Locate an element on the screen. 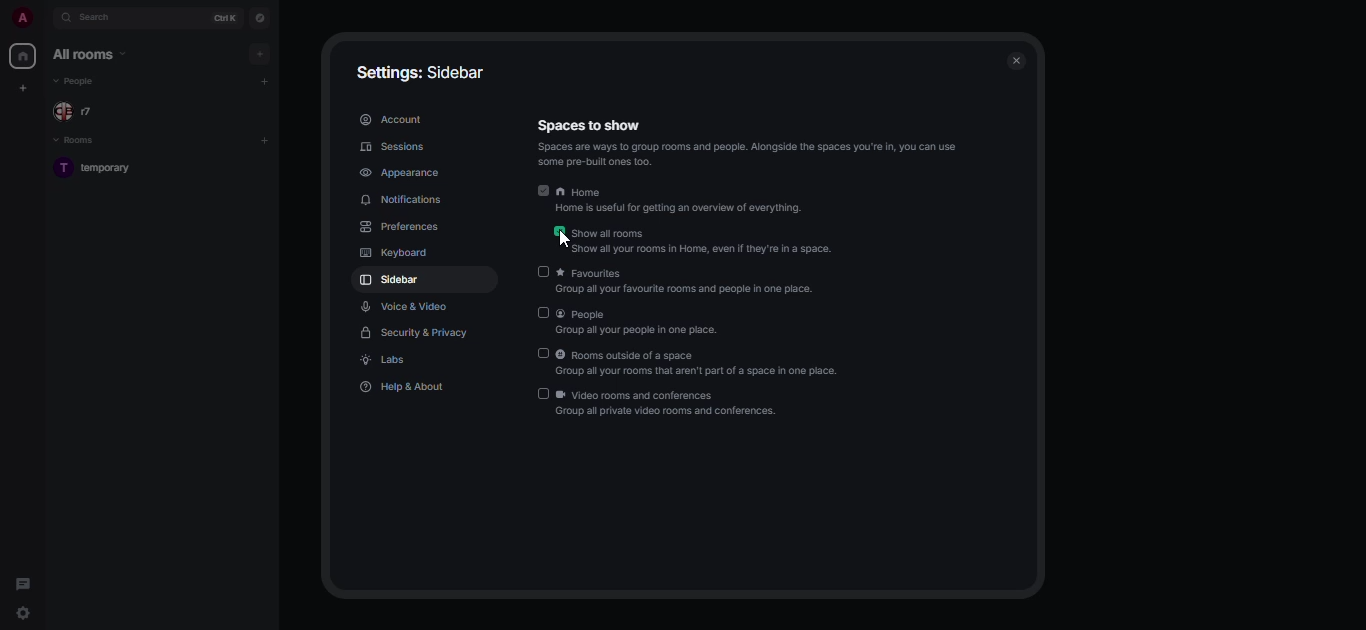 Image resolution: width=1366 pixels, height=630 pixels. security & privacy is located at coordinates (417, 332).